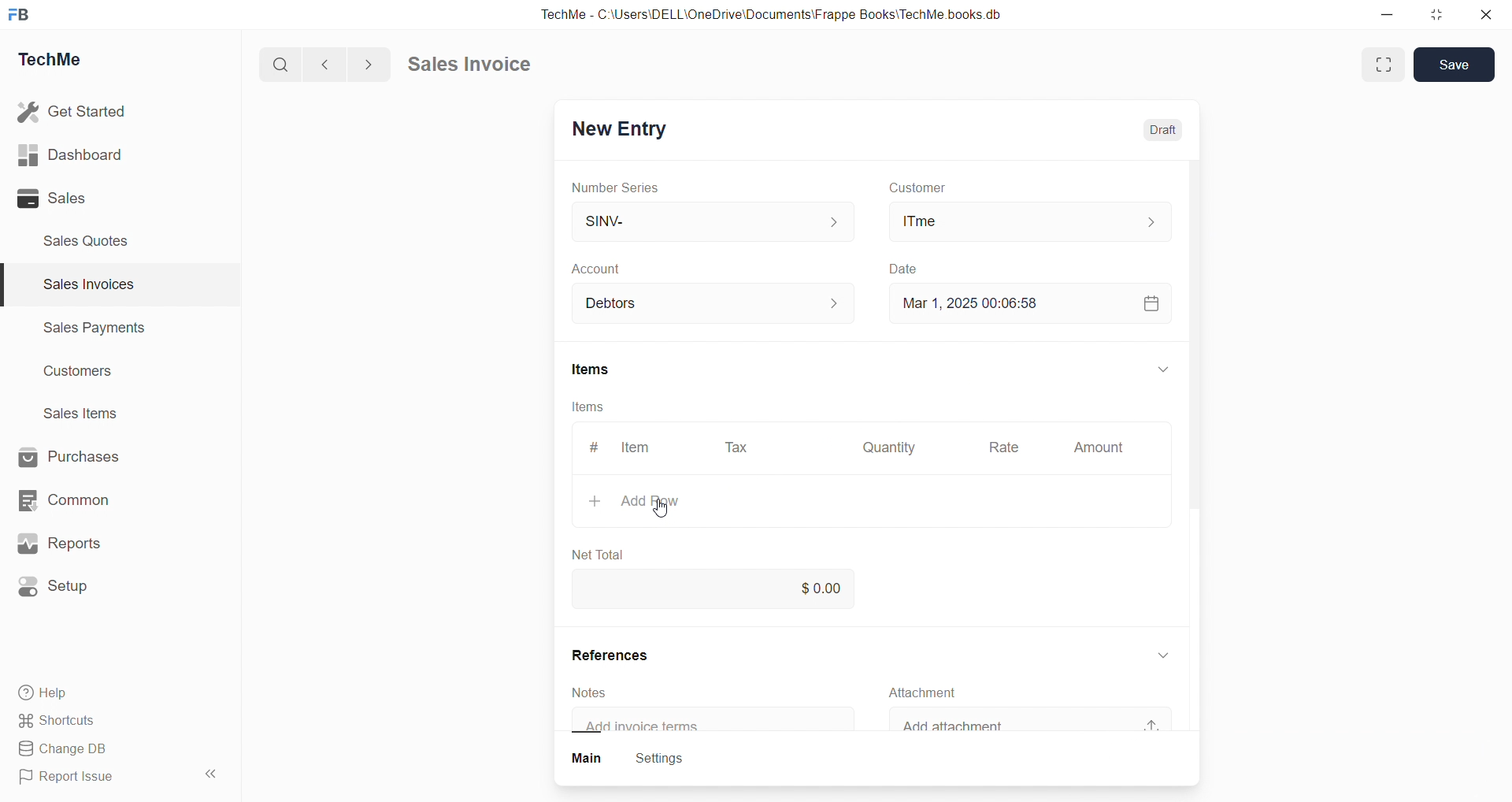 This screenshot has width=1512, height=802. I want to click on Calendar, so click(1150, 302).